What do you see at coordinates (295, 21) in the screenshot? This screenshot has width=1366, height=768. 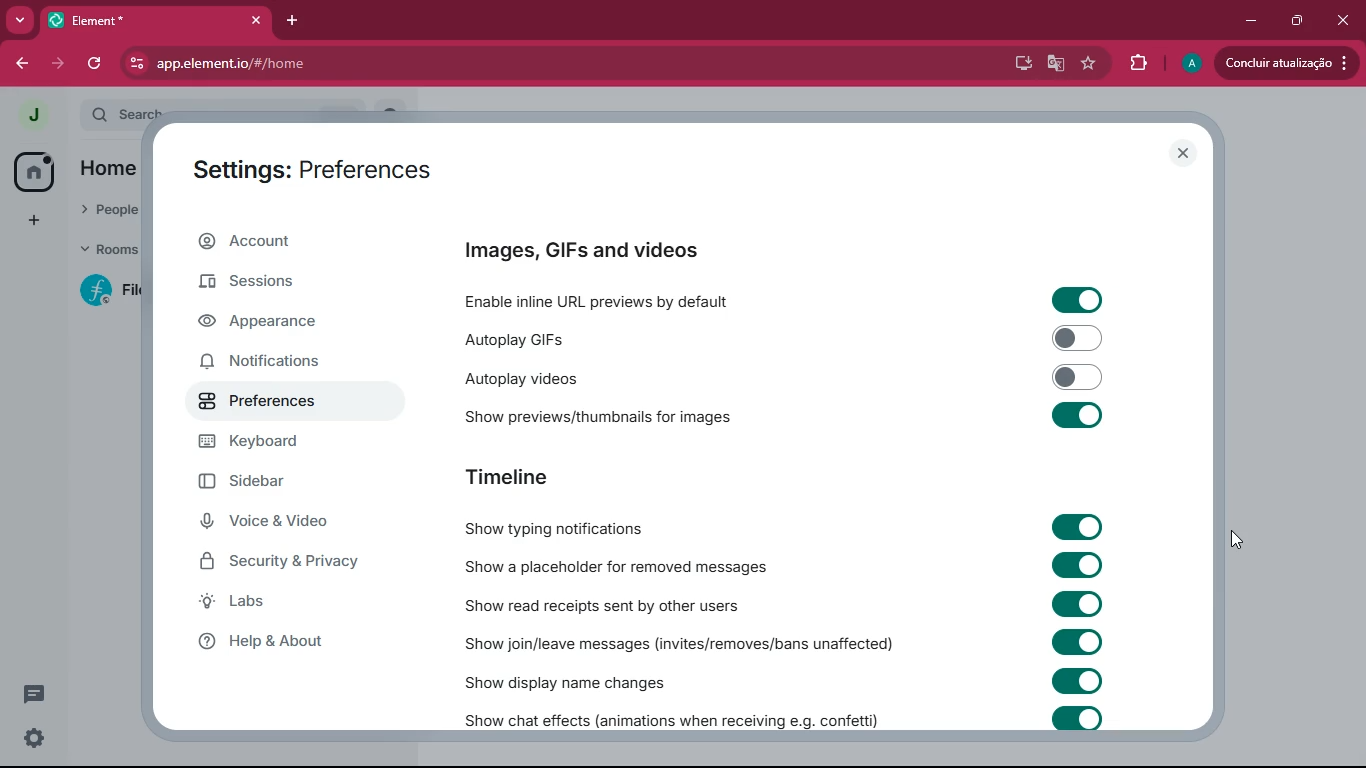 I see `add tab` at bounding box center [295, 21].